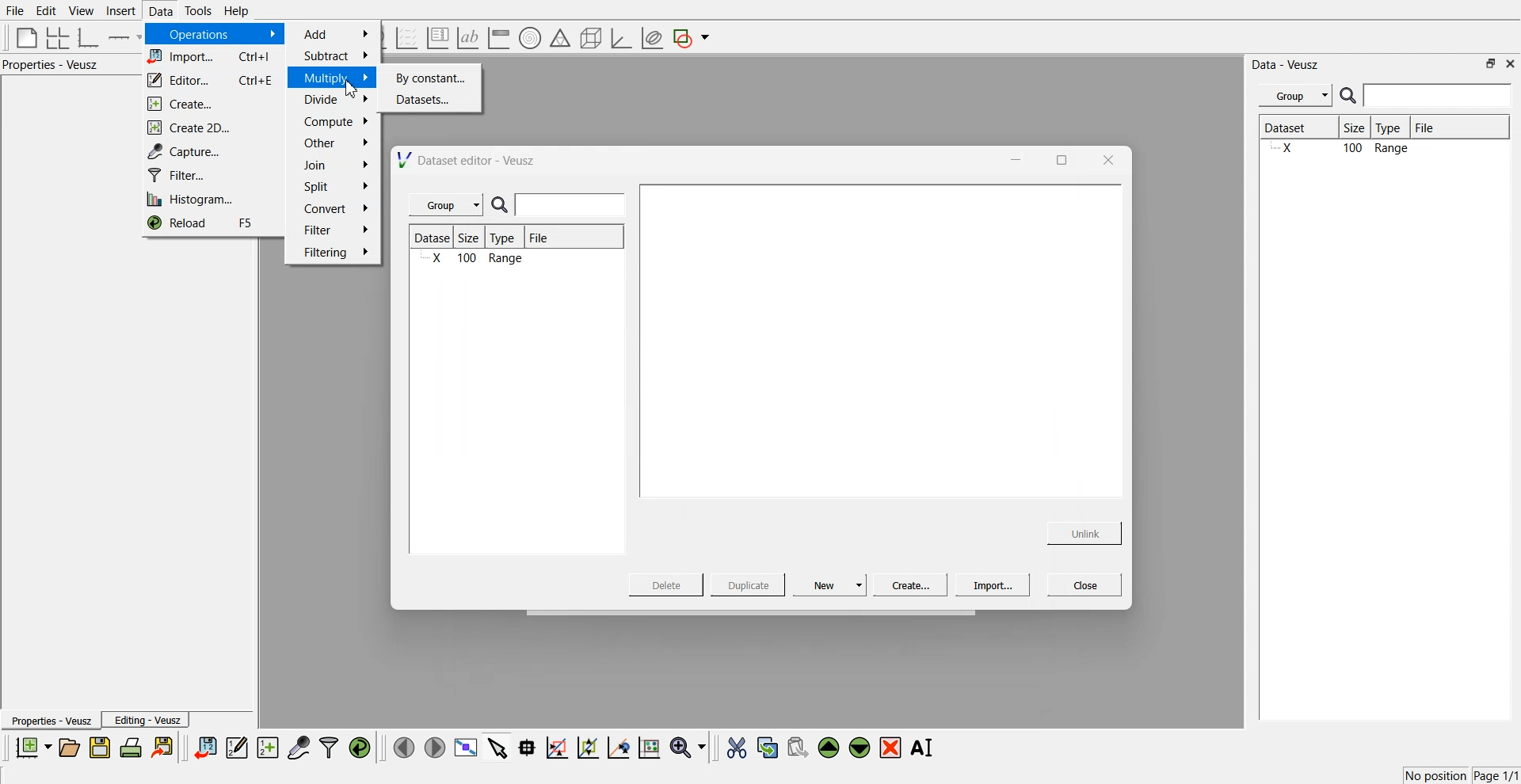 This screenshot has width=1521, height=784. What do you see at coordinates (208, 200) in the screenshot?
I see `Histogram...` at bounding box center [208, 200].